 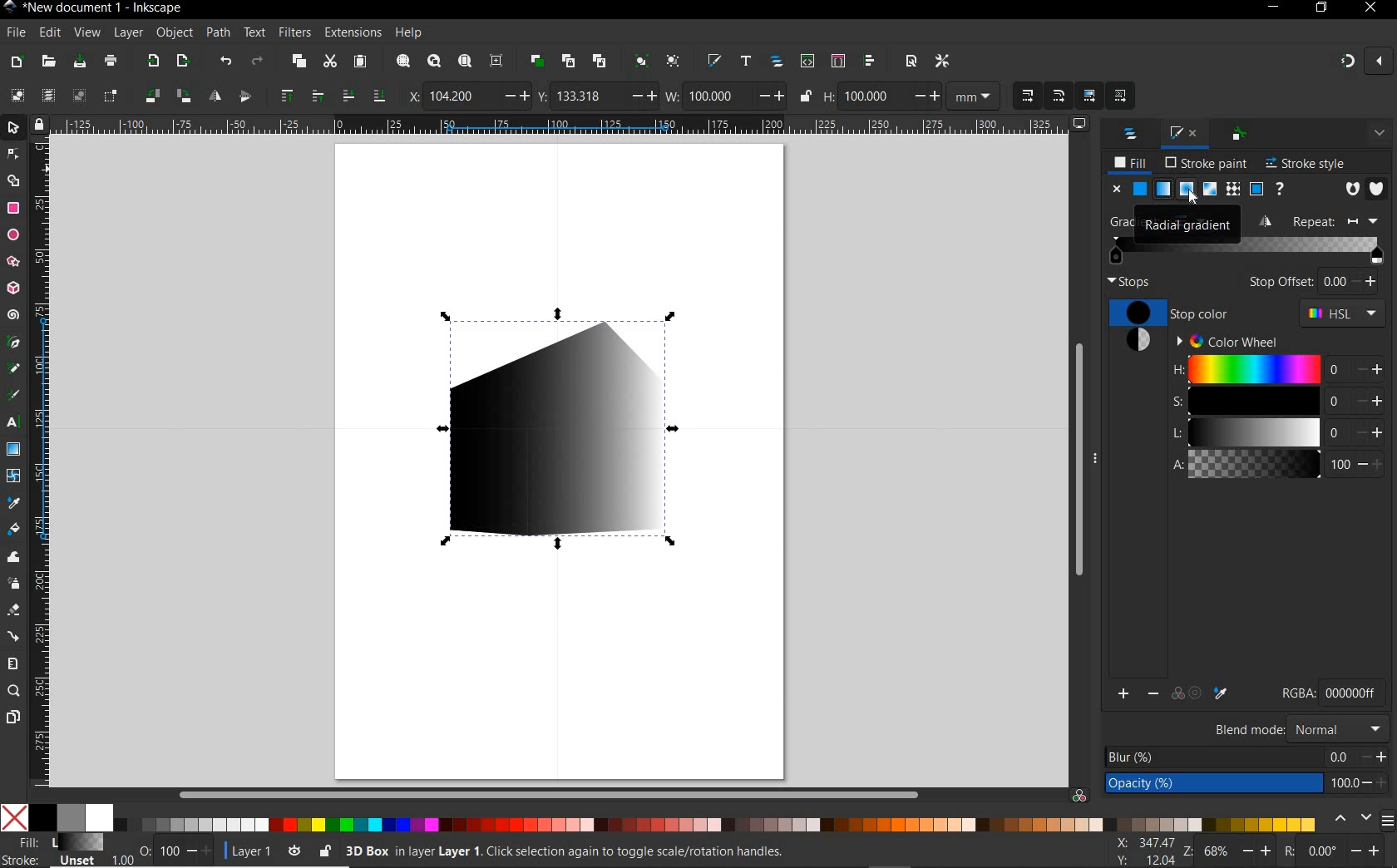 What do you see at coordinates (378, 97) in the screenshot?
I see `LOWER SELECTION` at bounding box center [378, 97].